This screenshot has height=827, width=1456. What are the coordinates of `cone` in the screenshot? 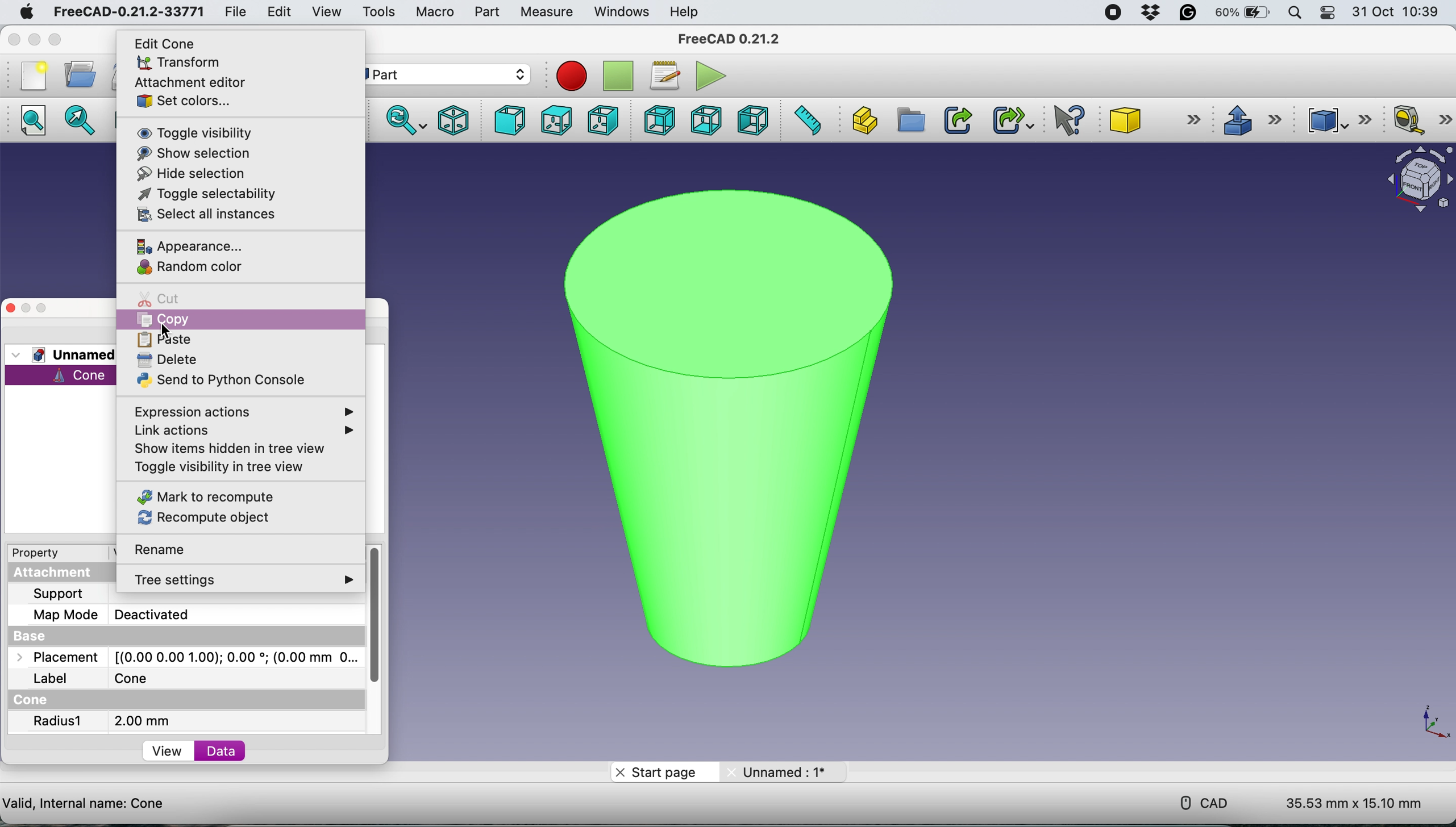 It's located at (65, 375).